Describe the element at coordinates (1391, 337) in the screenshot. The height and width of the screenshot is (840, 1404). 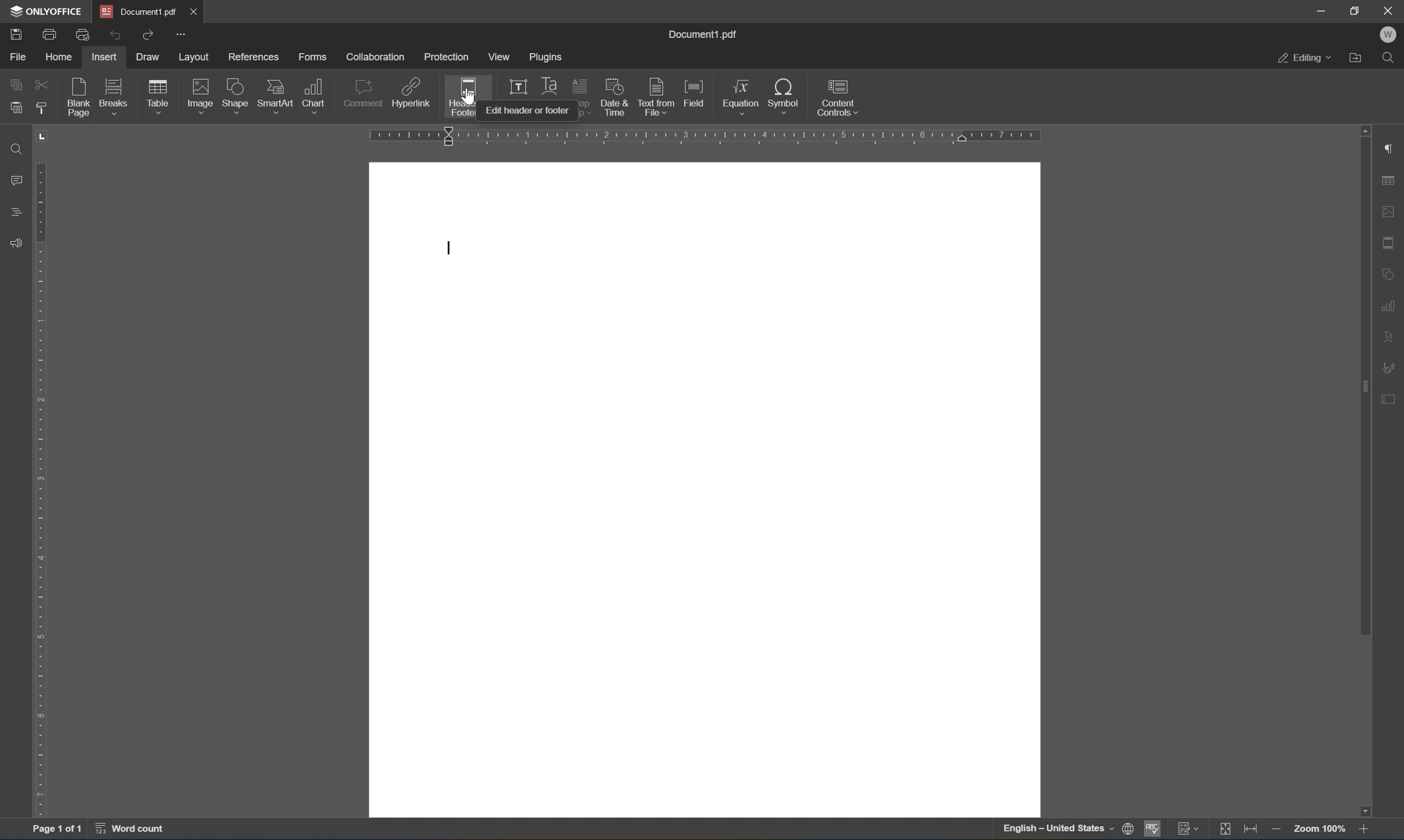
I see `text art settings` at that location.